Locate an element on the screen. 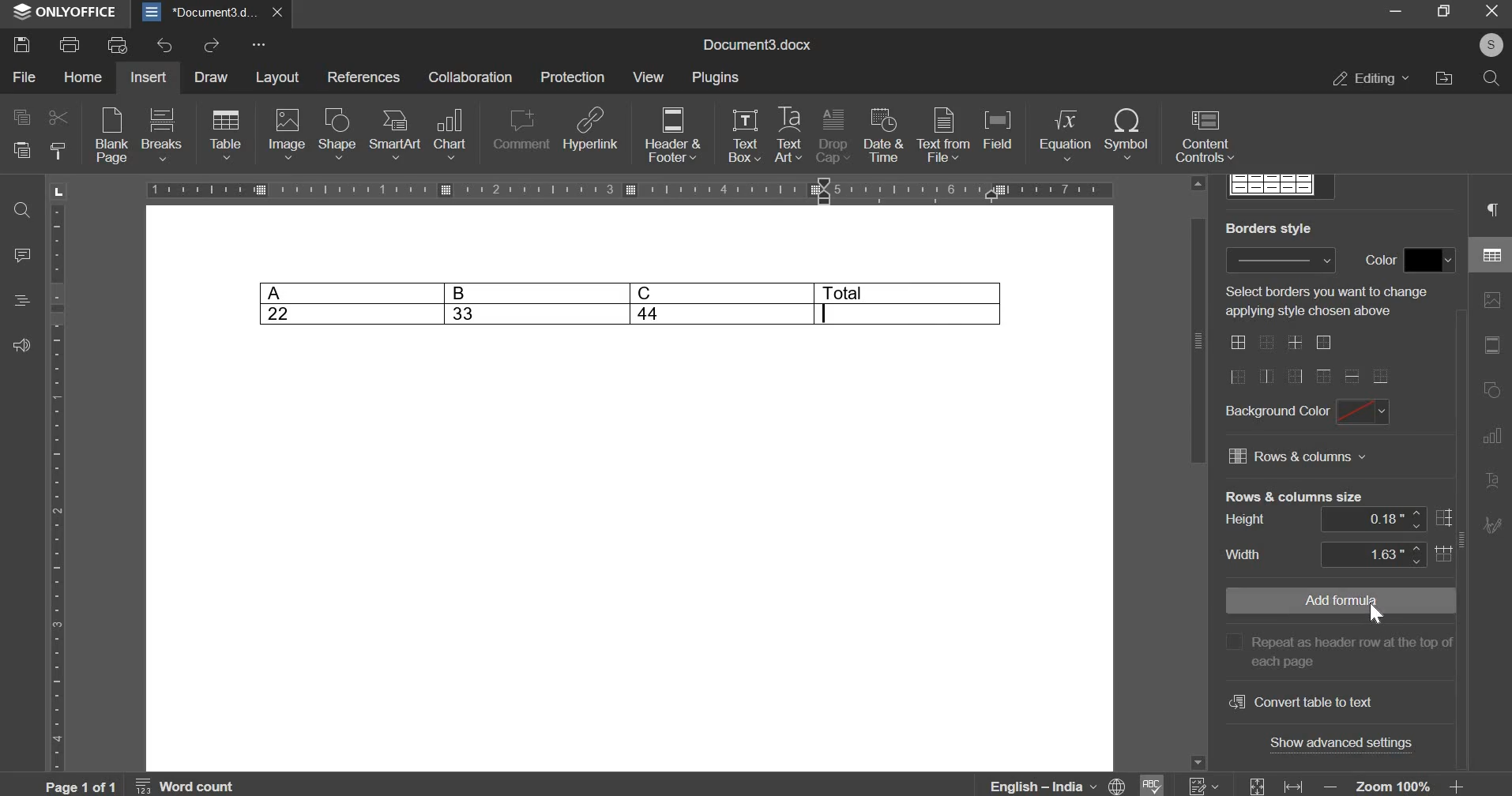 The width and height of the screenshot is (1512, 796). maximize is located at coordinates (1445, 13).